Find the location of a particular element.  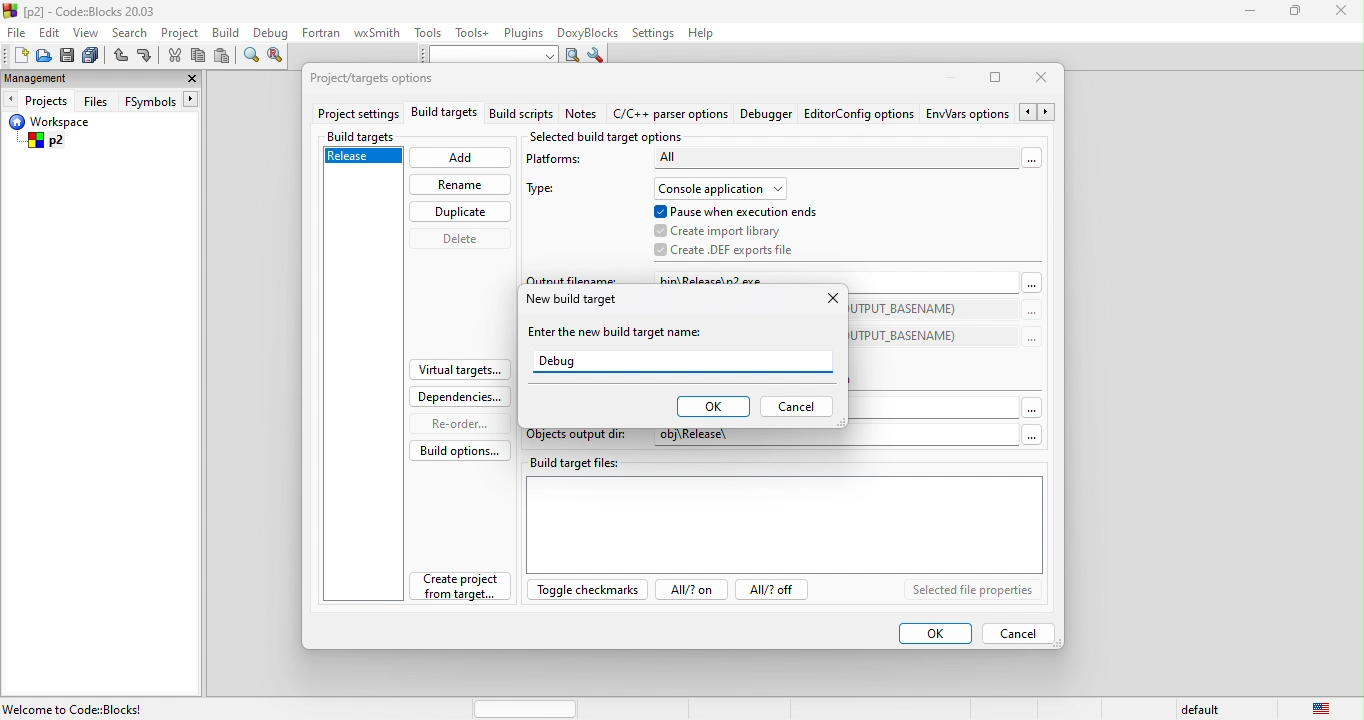

ok is located at coordinates (932, 631).